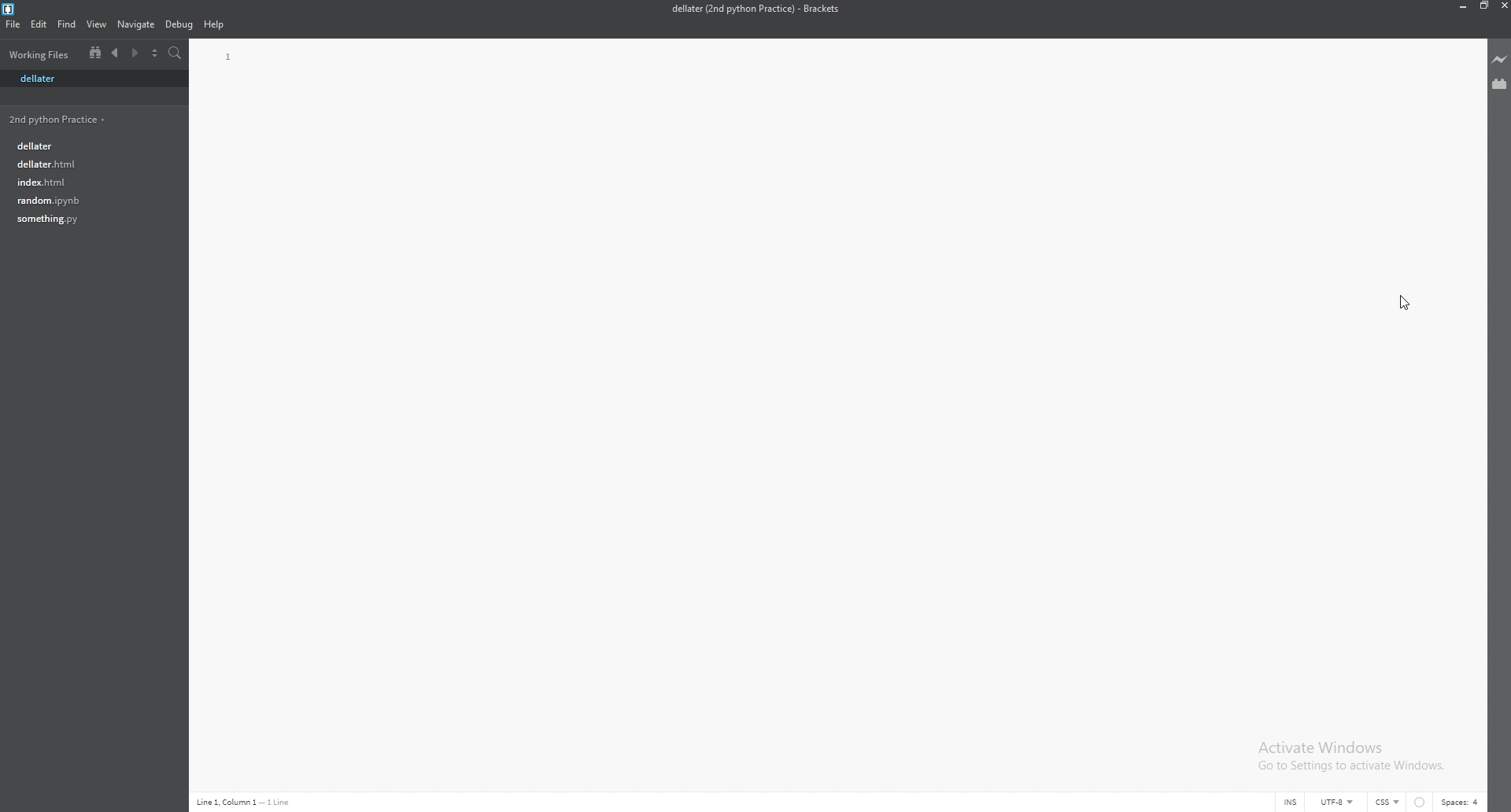 The height and width of the screenshot is (812, 1511). What do you see at coordinates (13, 24) in the screenshot?
I see `file` at bounding box center [13, 24].